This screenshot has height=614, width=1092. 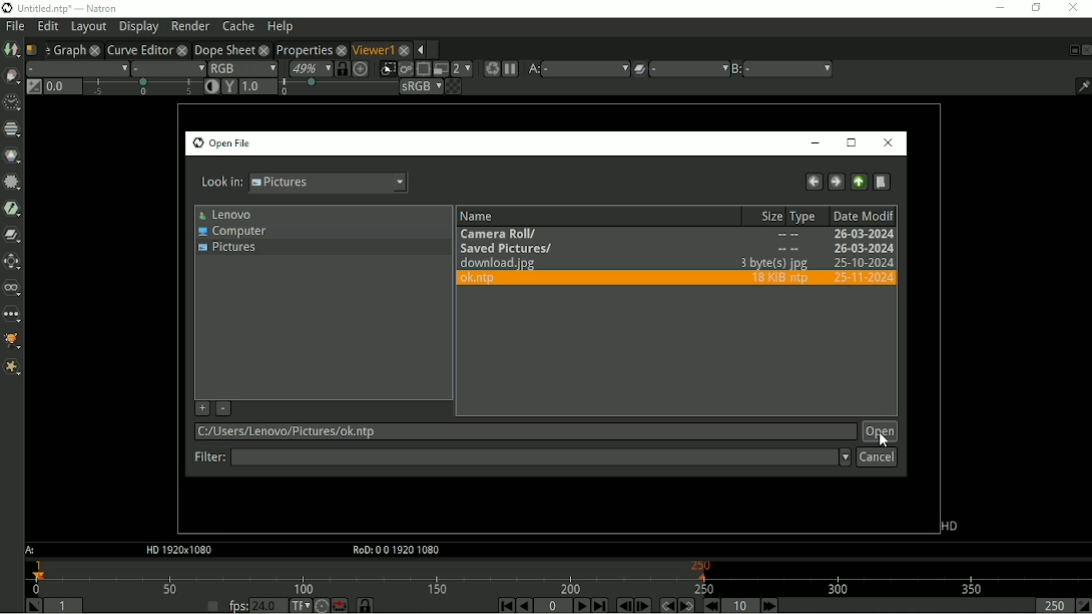 What do you see at coordinates (490, 69) in the screenshot?
I see `Render` at bounding box center [490, 69].